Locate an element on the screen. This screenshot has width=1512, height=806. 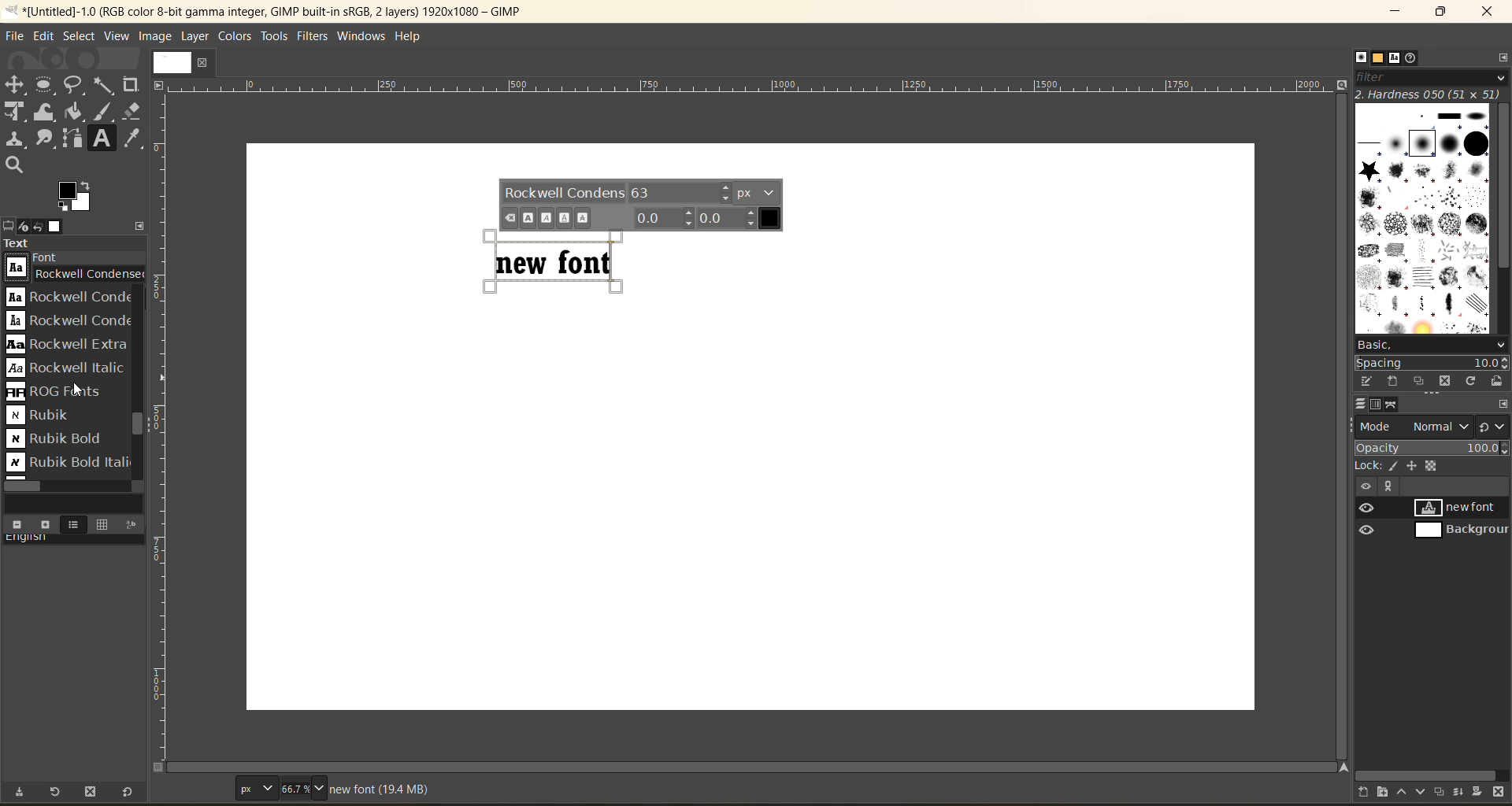
create a new layer is located at coordinates (1370, 793).